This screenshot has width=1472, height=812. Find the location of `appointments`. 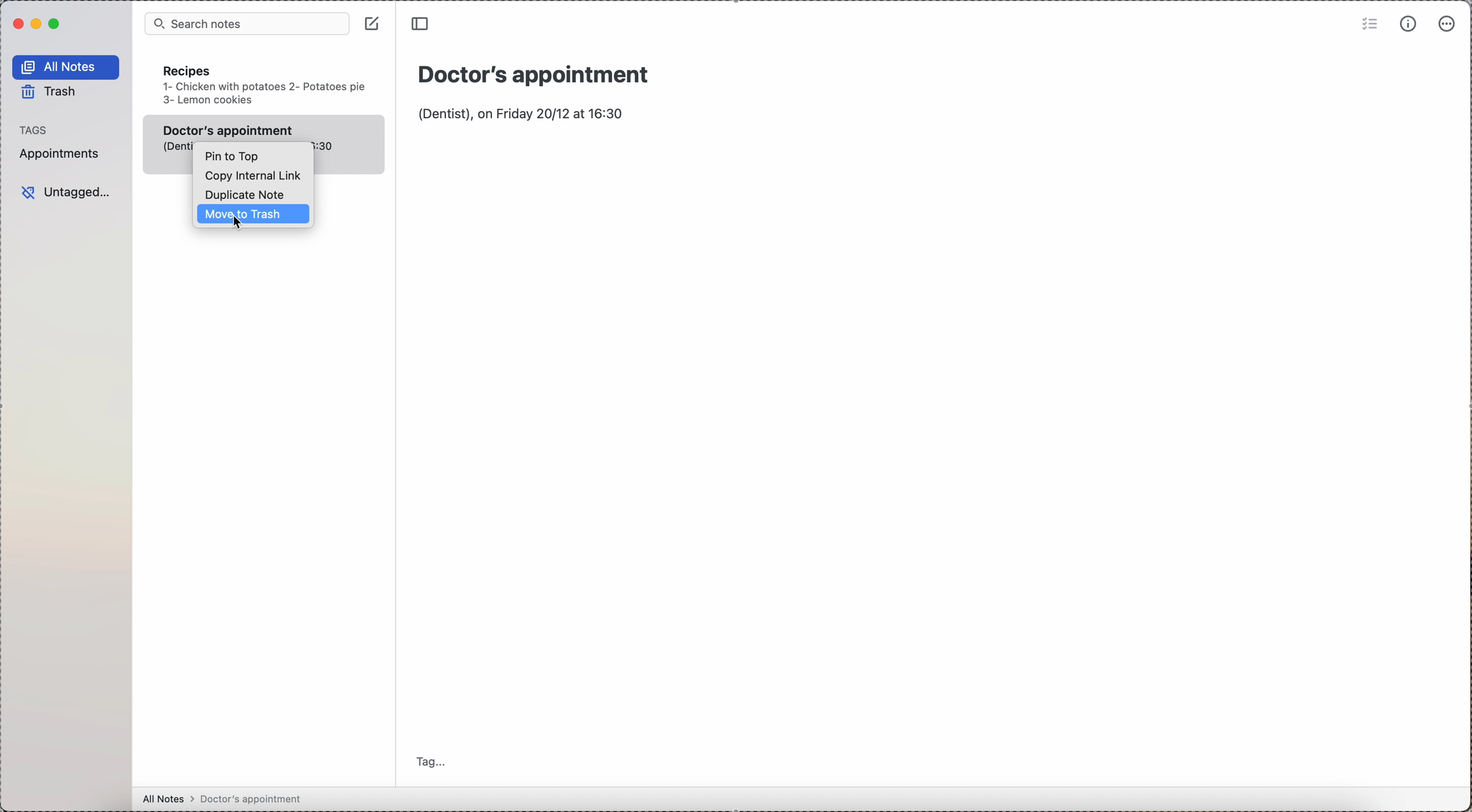

appointments is located at coordinates (63, 154).